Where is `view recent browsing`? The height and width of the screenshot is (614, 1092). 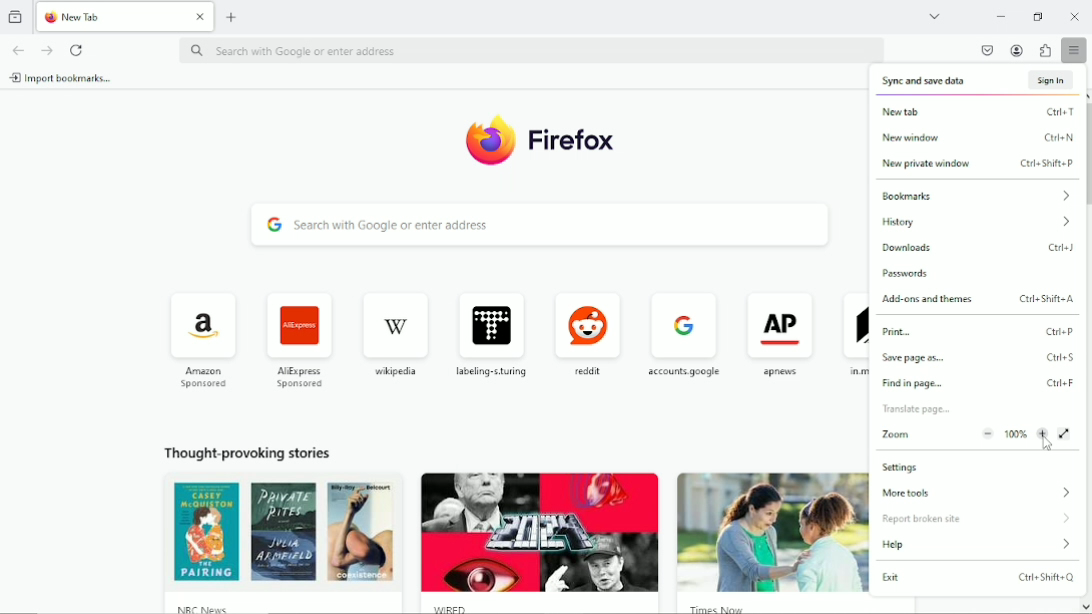 view recent browsing is located at coordinates (15, 17).